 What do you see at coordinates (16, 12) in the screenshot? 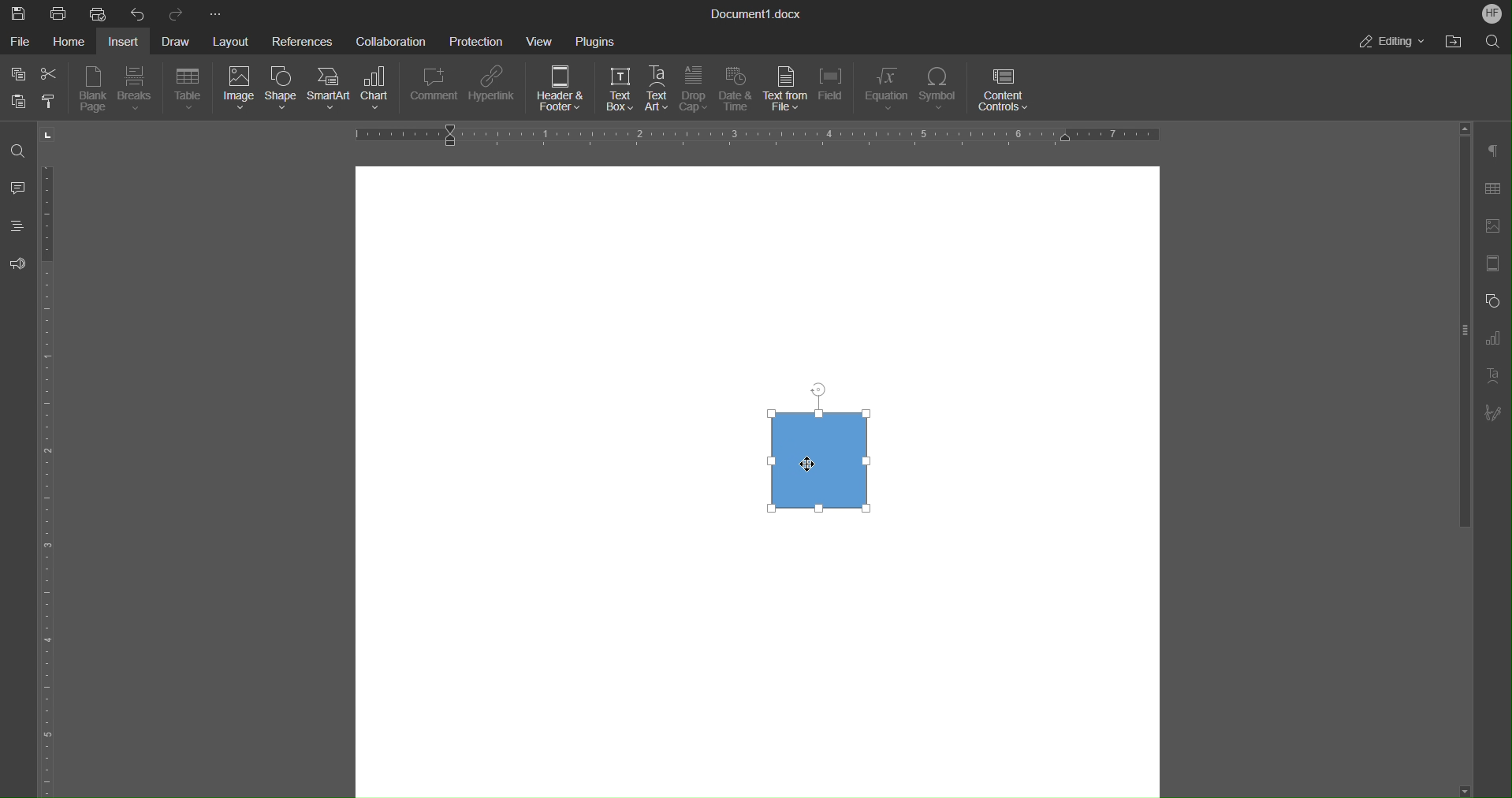
I see `Save` at bounding box center [16, 12].